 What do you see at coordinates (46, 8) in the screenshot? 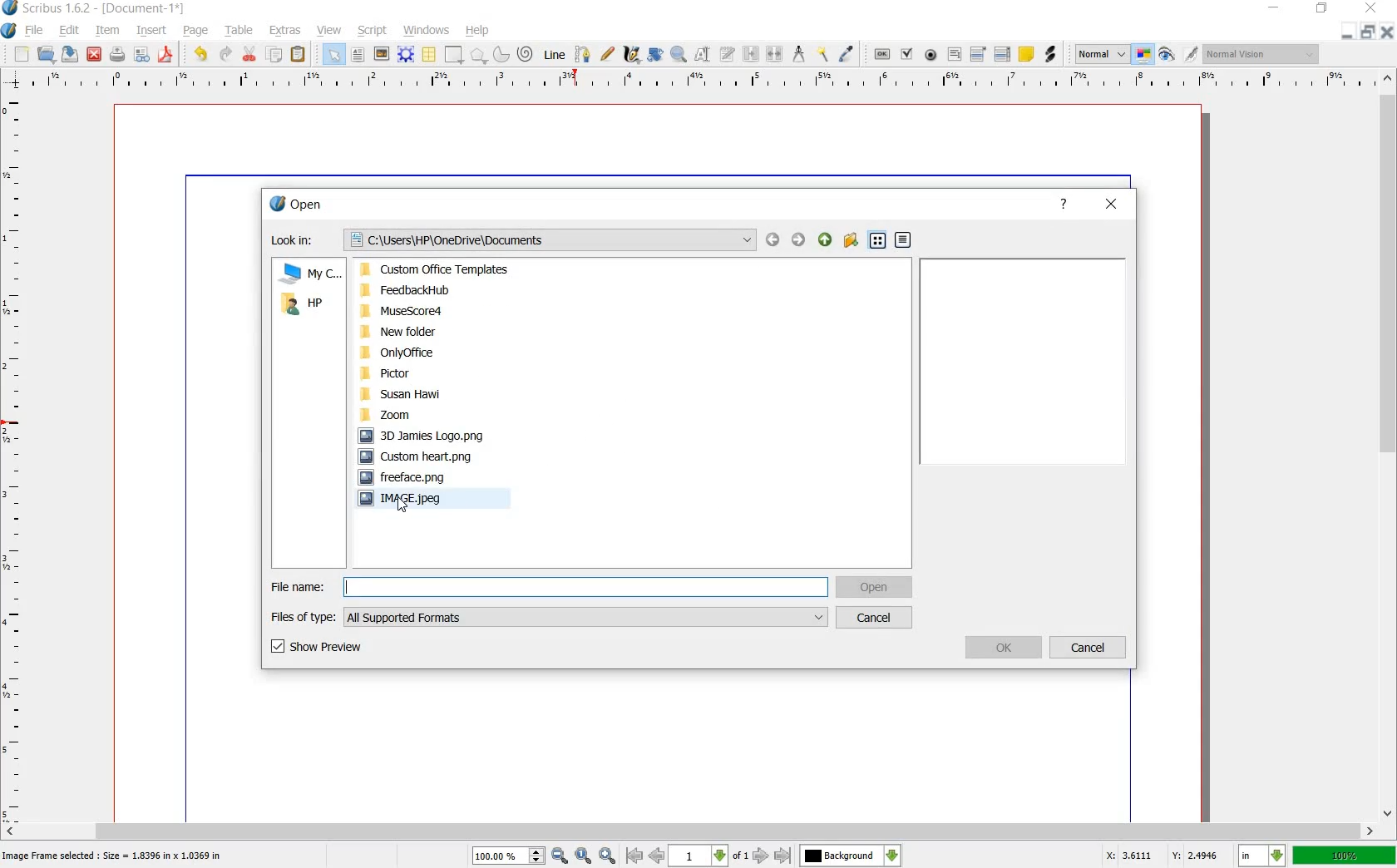
I see `Scribus 1.6.2` at bounding box center [46, 8].